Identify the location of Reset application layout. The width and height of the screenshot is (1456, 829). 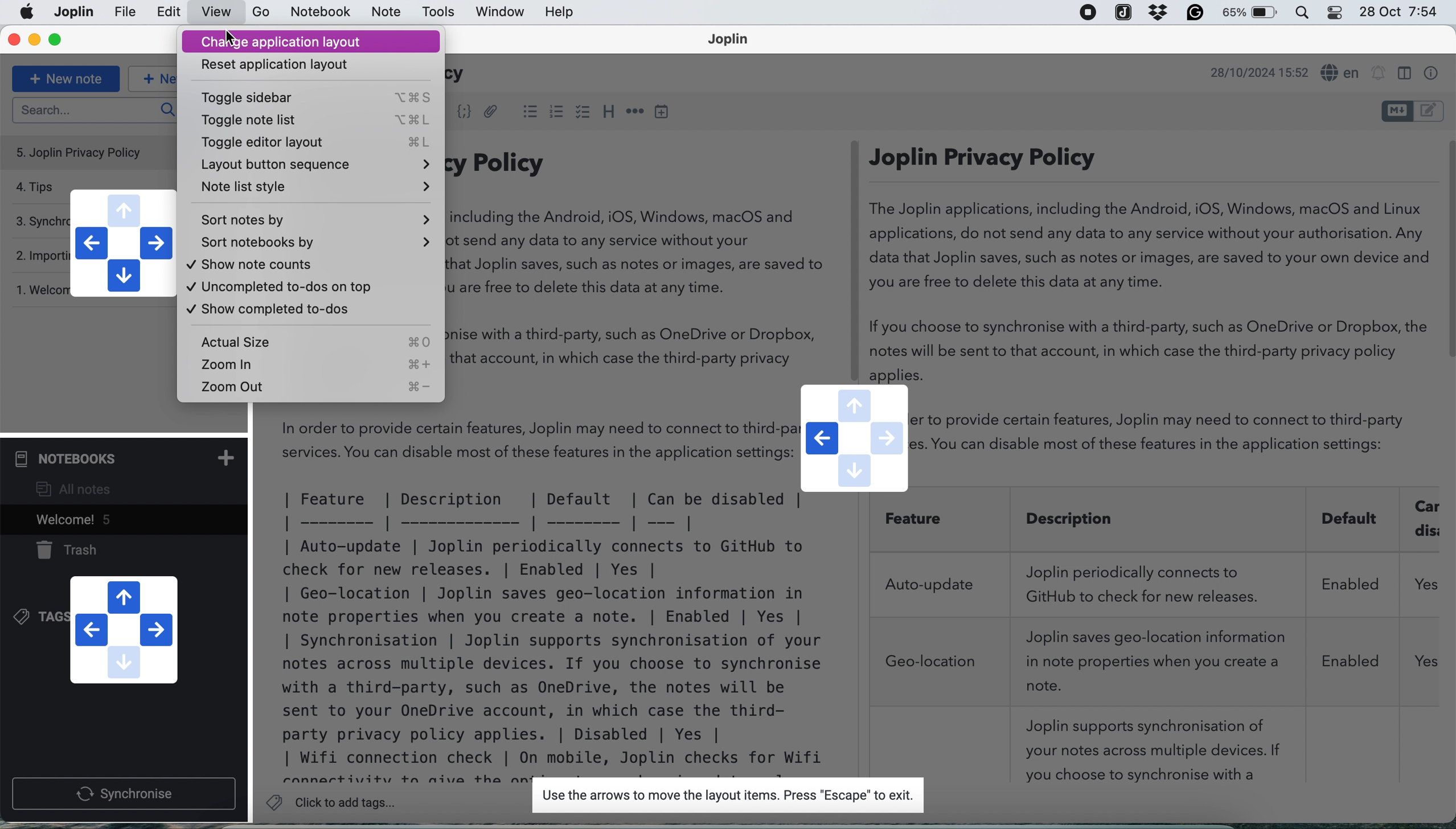
(310, 66).